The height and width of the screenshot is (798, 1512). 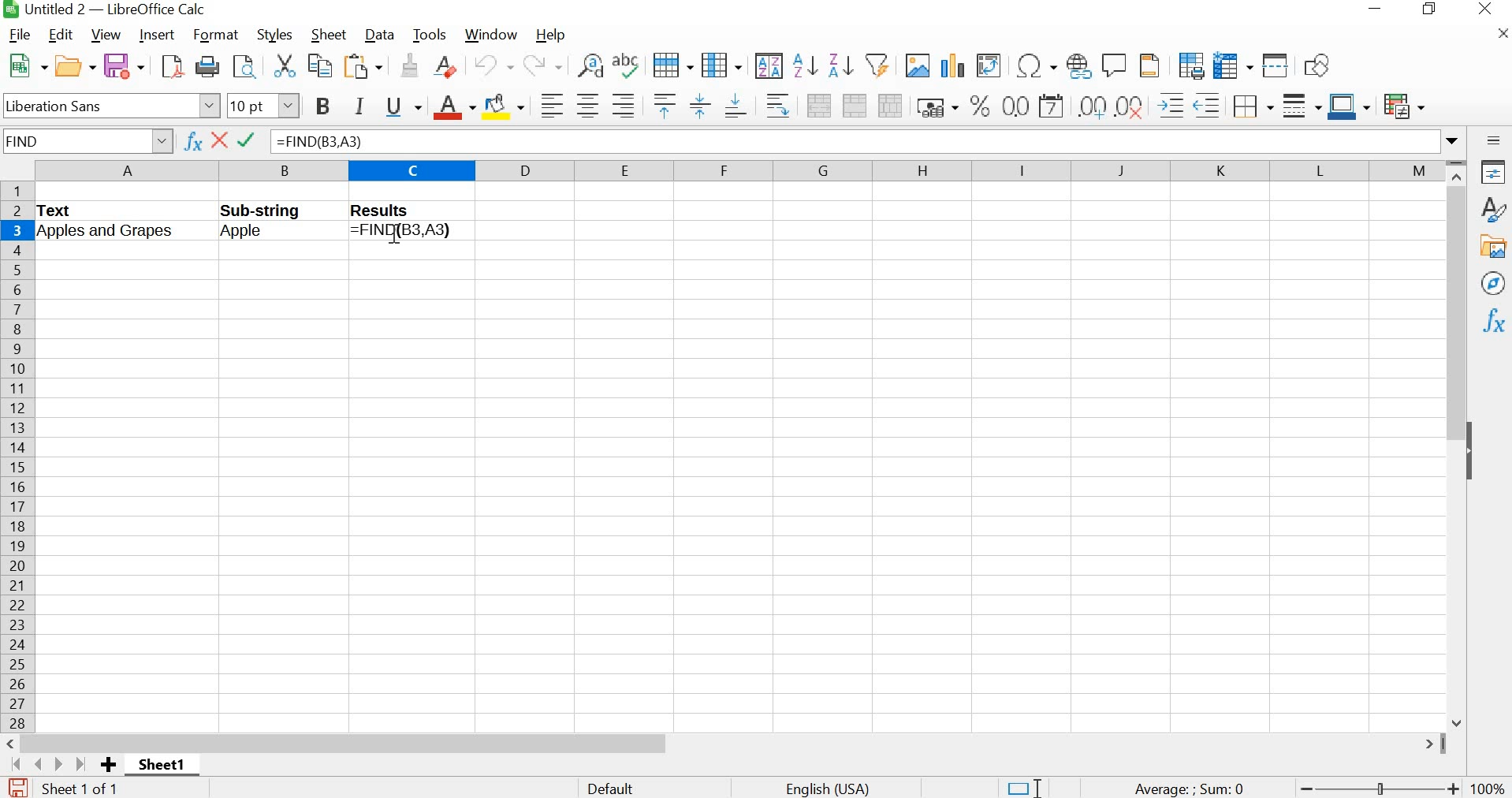 What do you see at coordinates (393, 211) in the screenshot?
I see `Results` at bounding box center [393, 211].